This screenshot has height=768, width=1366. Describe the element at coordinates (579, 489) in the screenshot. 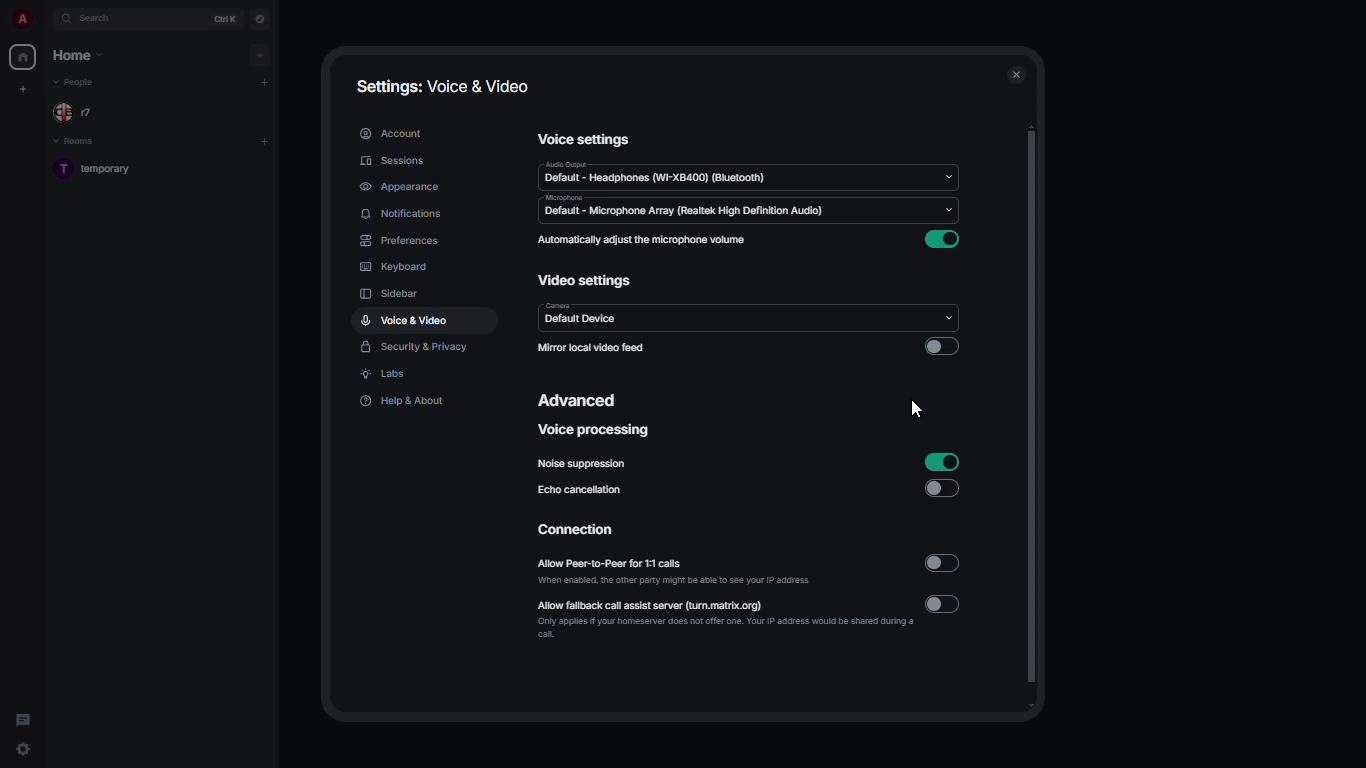

I see `echo cancellation` at that location.